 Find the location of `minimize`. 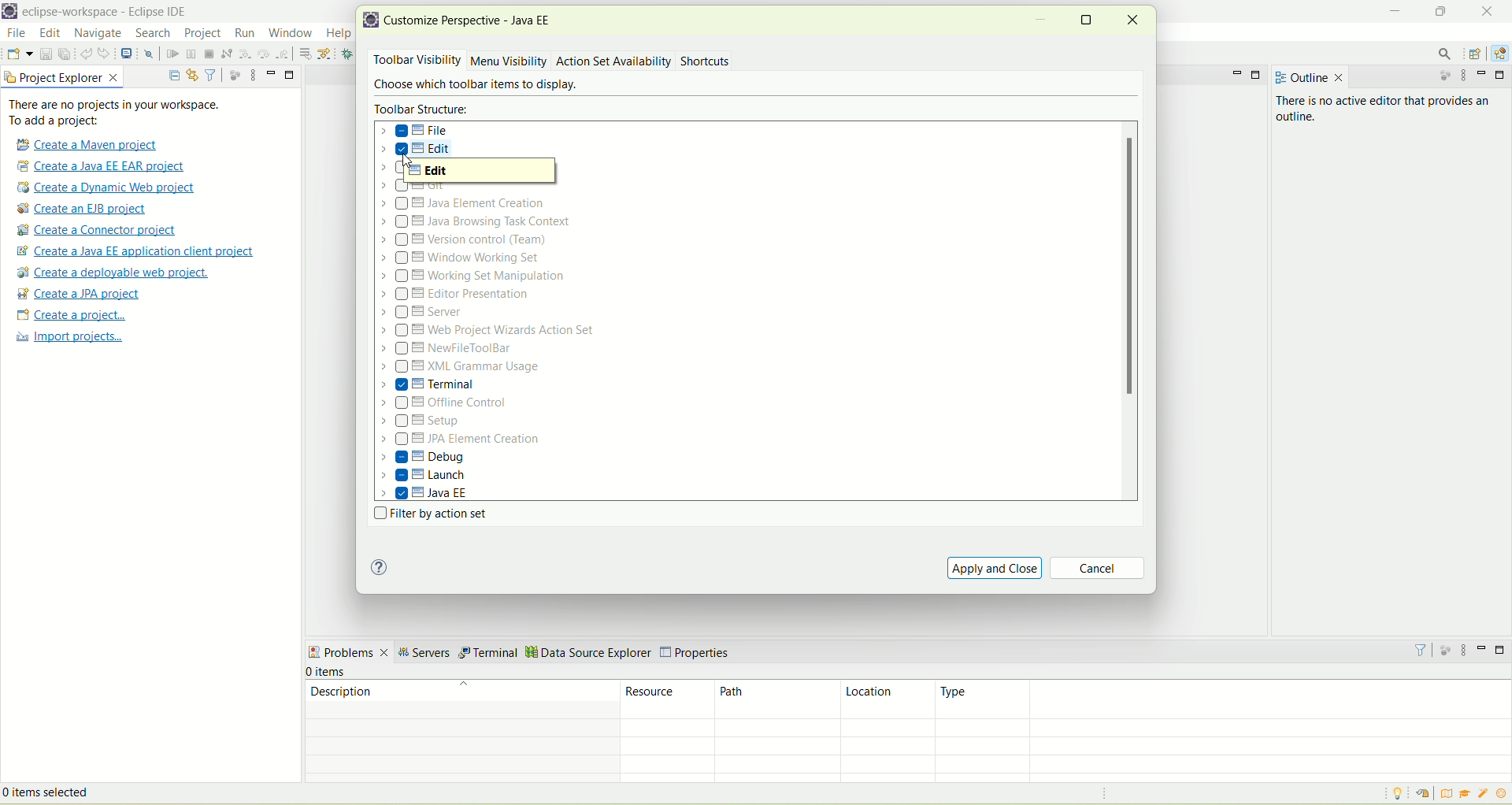

minimize is located at coordinates (1395, 9).